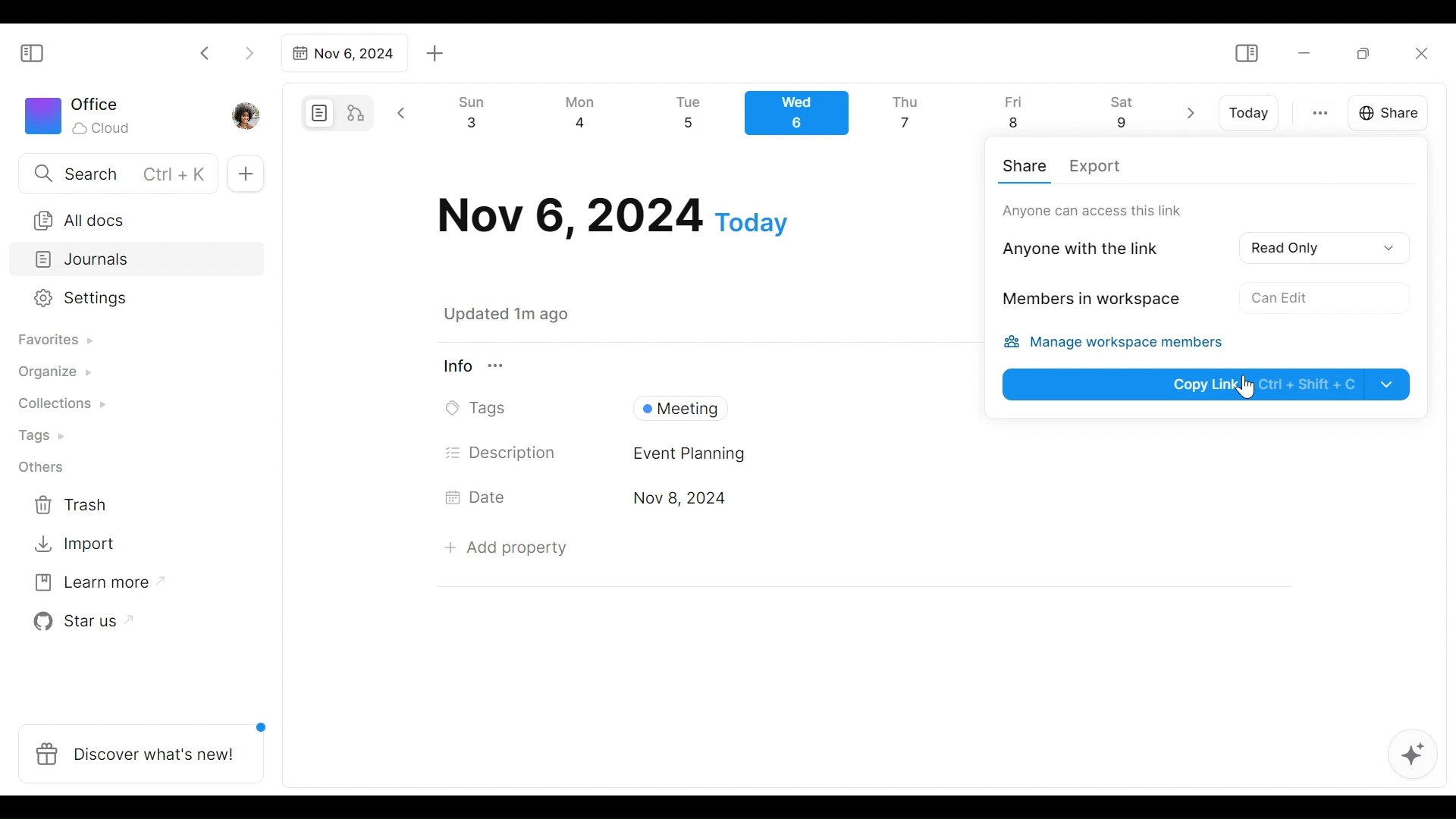 This screenshot has height=819, width=1456. What do you see at coordinates (43, 438) in the screenshot?
I see `Tags` at bounding box center [43, 438].